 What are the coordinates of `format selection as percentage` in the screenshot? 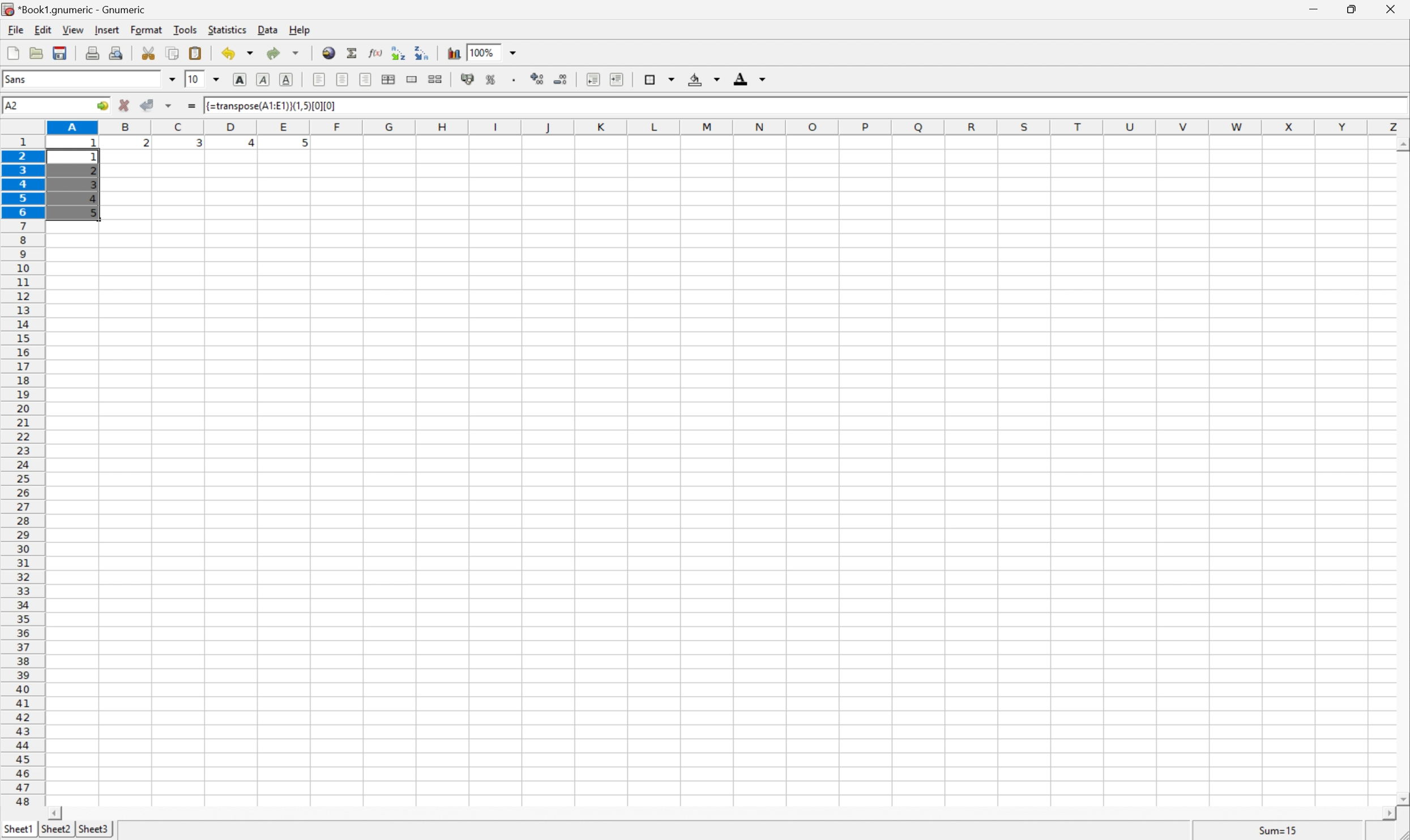 It's located at (491, 80).